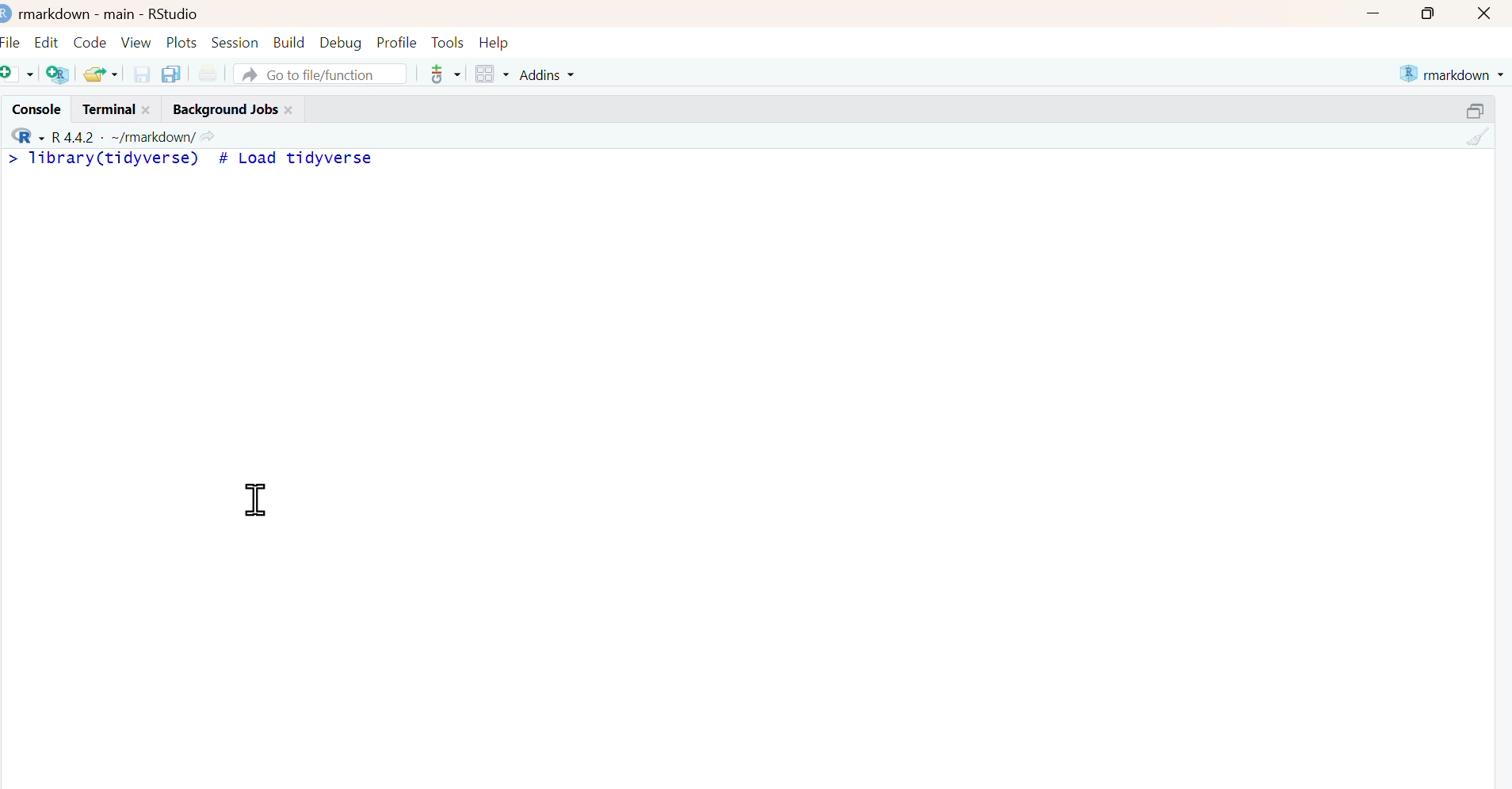 This screenshot has height=789, width=1512. What do you see at coordinates (90, 38) in the screenshot?
I see `Code` at bounding box center [90, 38].